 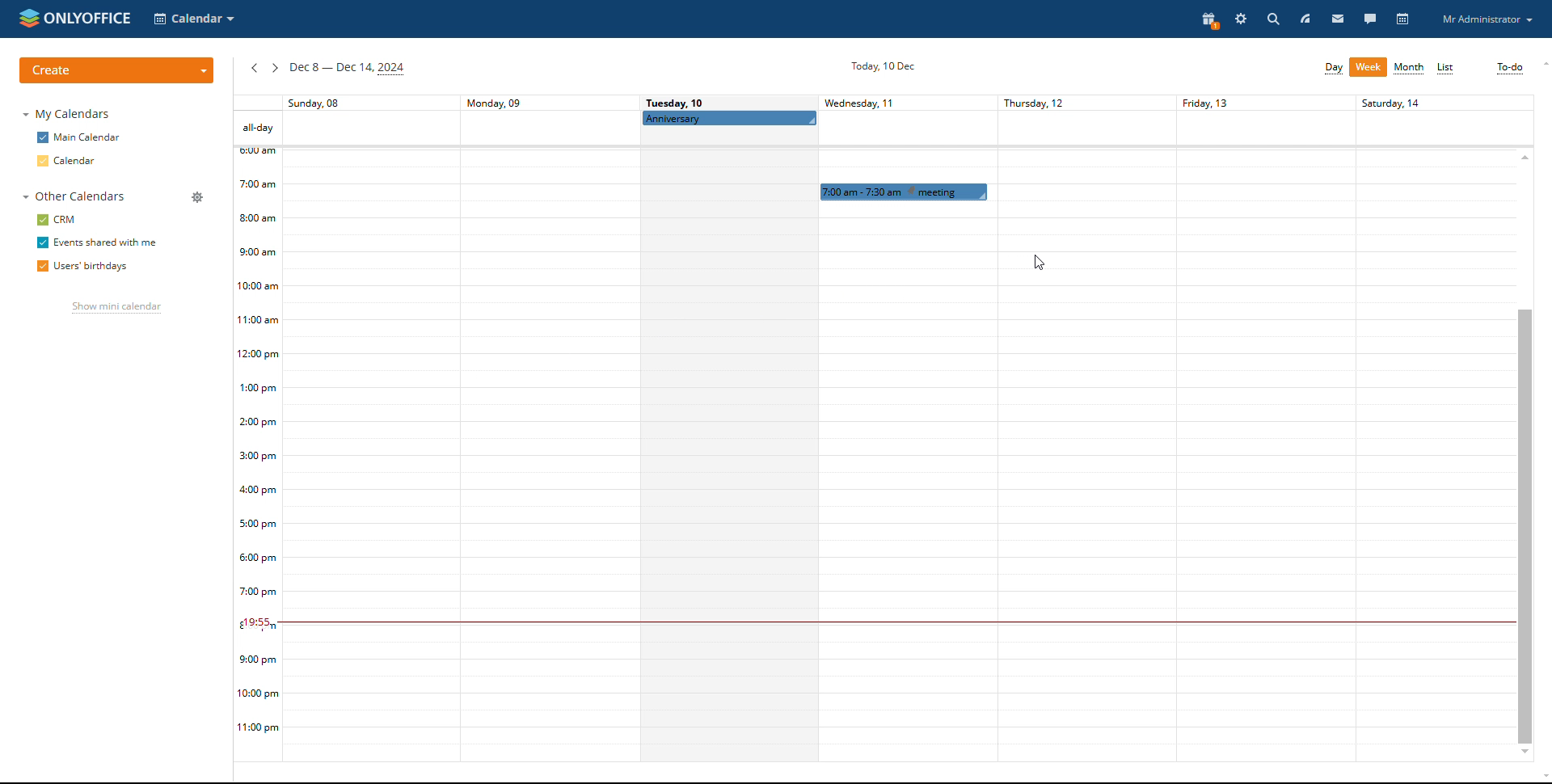 What do you see at coordinates (871, 103) in the screenshot?
I see `Wednesday, 11` at bounding box center [871, 103].